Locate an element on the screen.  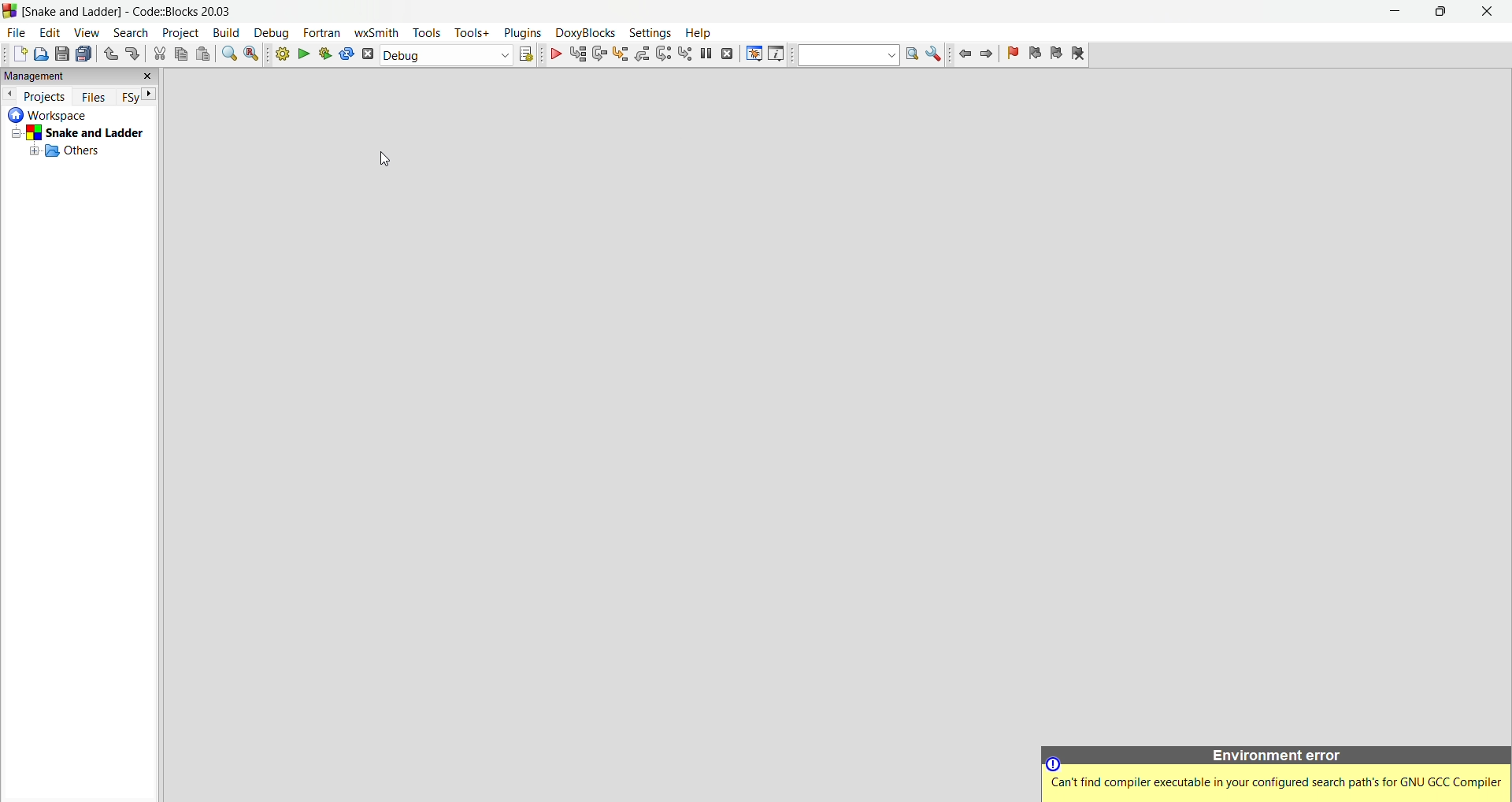
plugins is located at coordinates (520, 32).